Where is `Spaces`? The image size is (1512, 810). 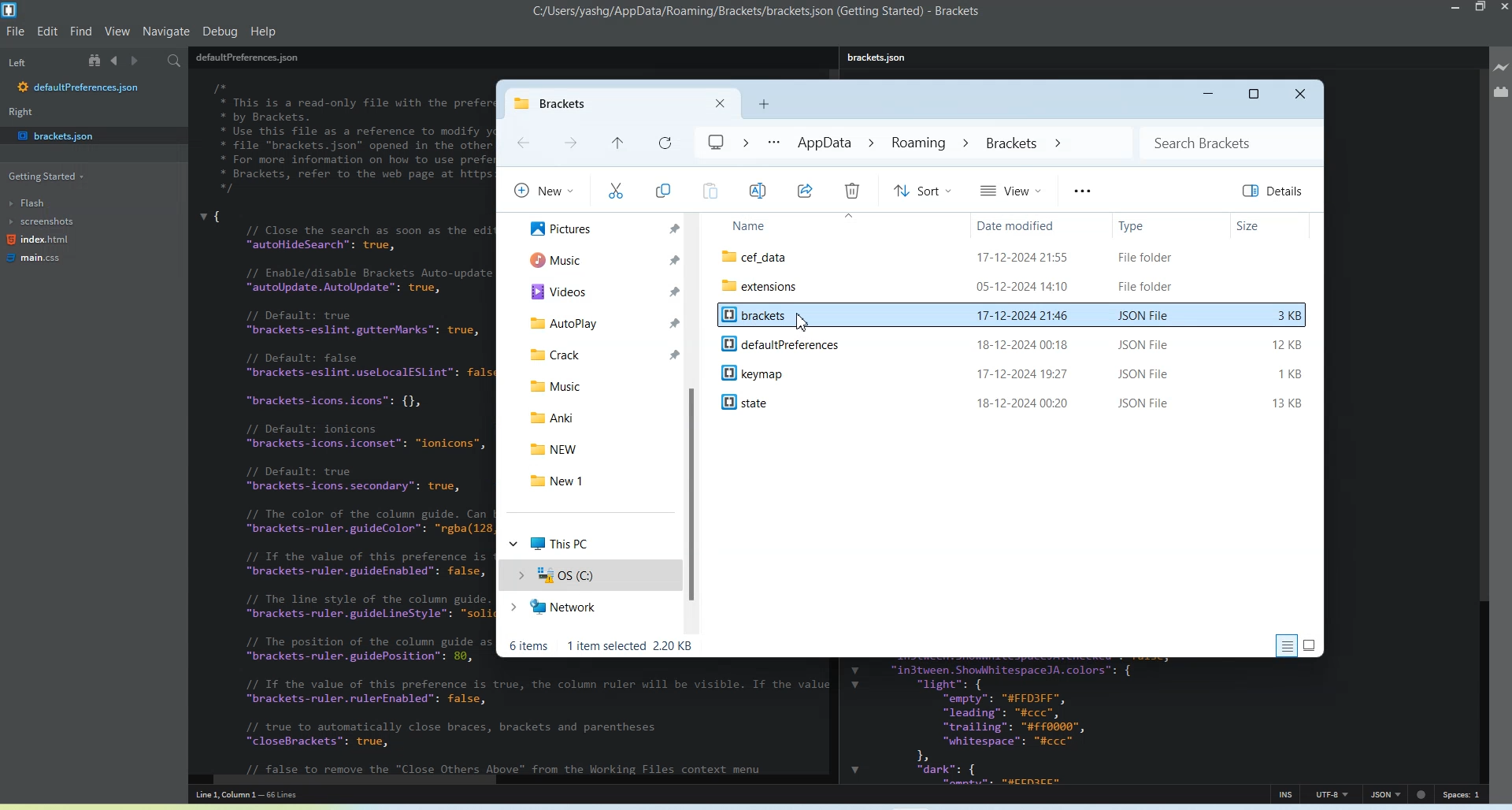 Spaces is located at coordinates (1463, 794).